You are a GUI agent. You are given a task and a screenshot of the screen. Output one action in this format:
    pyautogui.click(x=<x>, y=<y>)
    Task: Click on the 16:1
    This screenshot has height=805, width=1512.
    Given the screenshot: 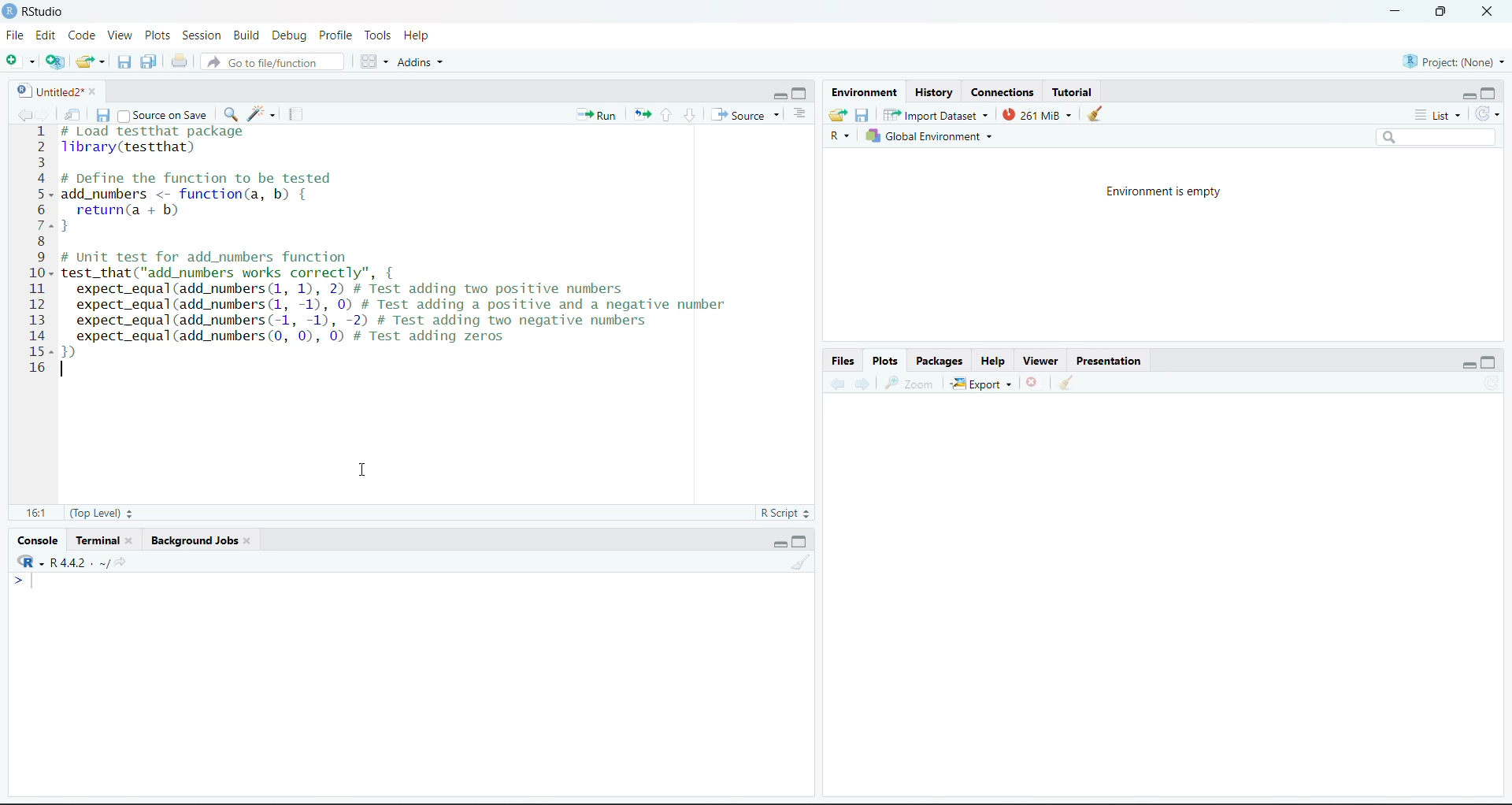 What is the action you would take?
    pyautogui.click(x=35, y=512)
    